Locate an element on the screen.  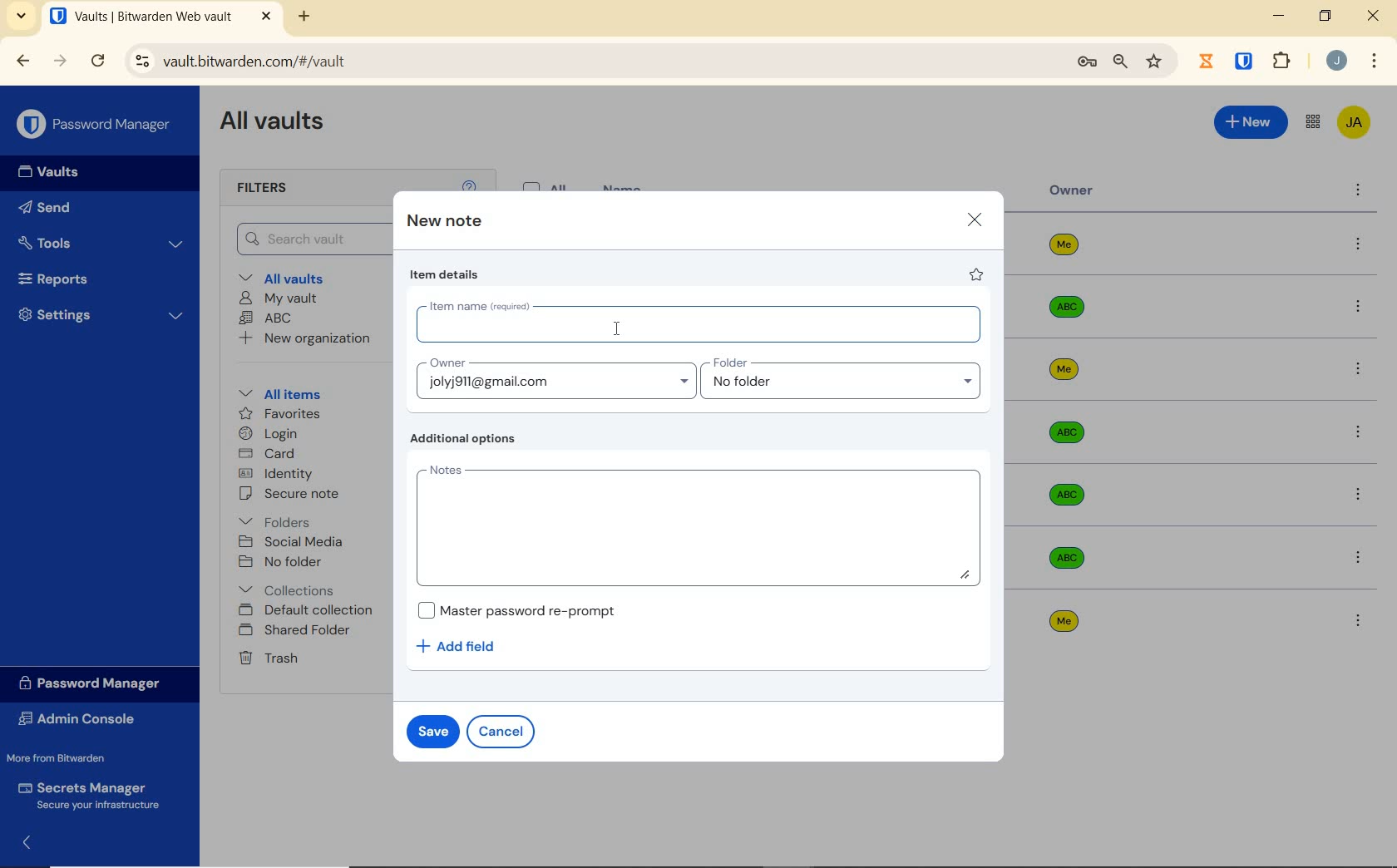
favorites is located at coordinates (277, 413).